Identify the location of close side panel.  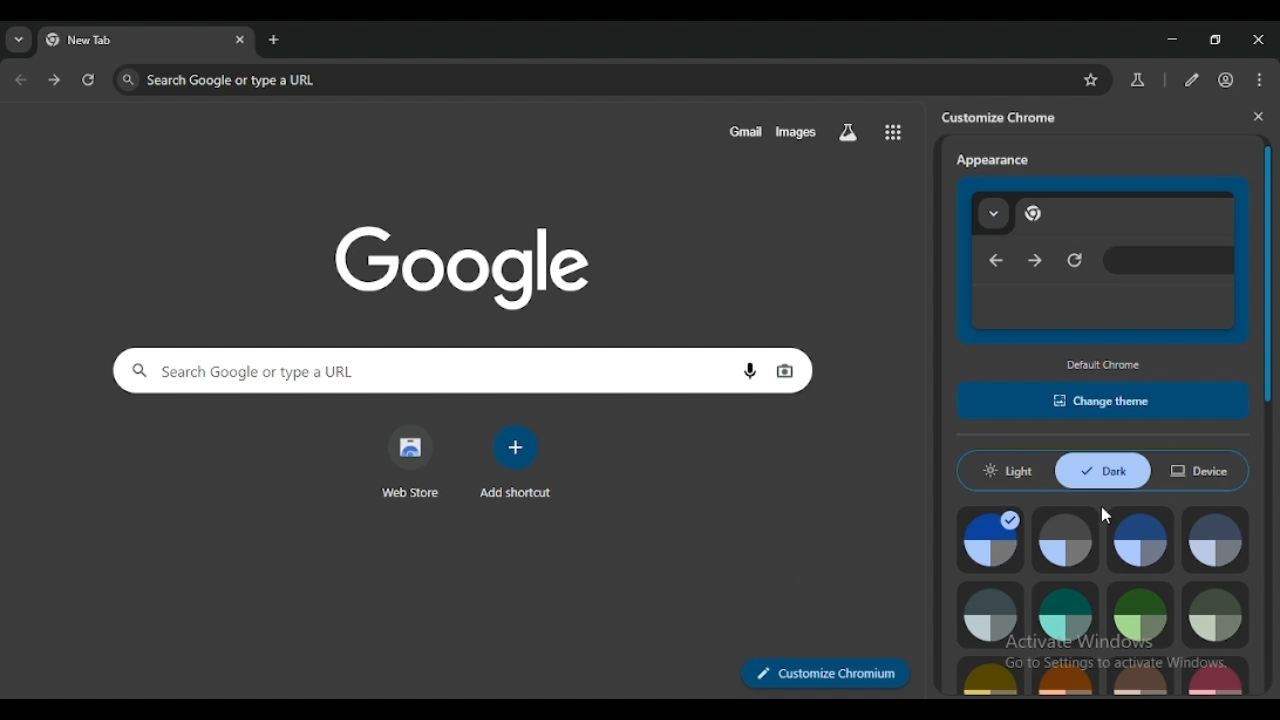
(1258, 117).